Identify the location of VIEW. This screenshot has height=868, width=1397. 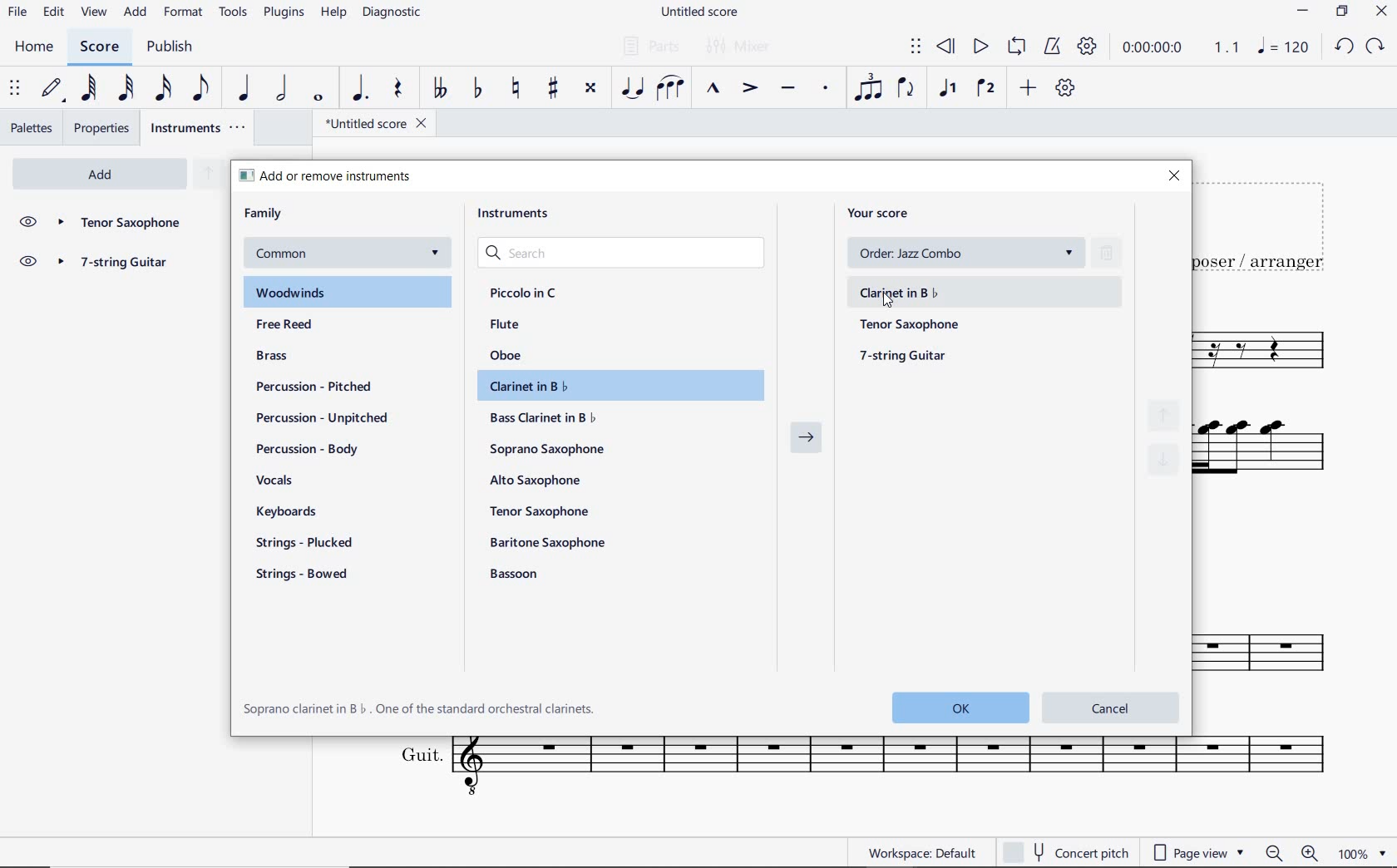
(96, 13).